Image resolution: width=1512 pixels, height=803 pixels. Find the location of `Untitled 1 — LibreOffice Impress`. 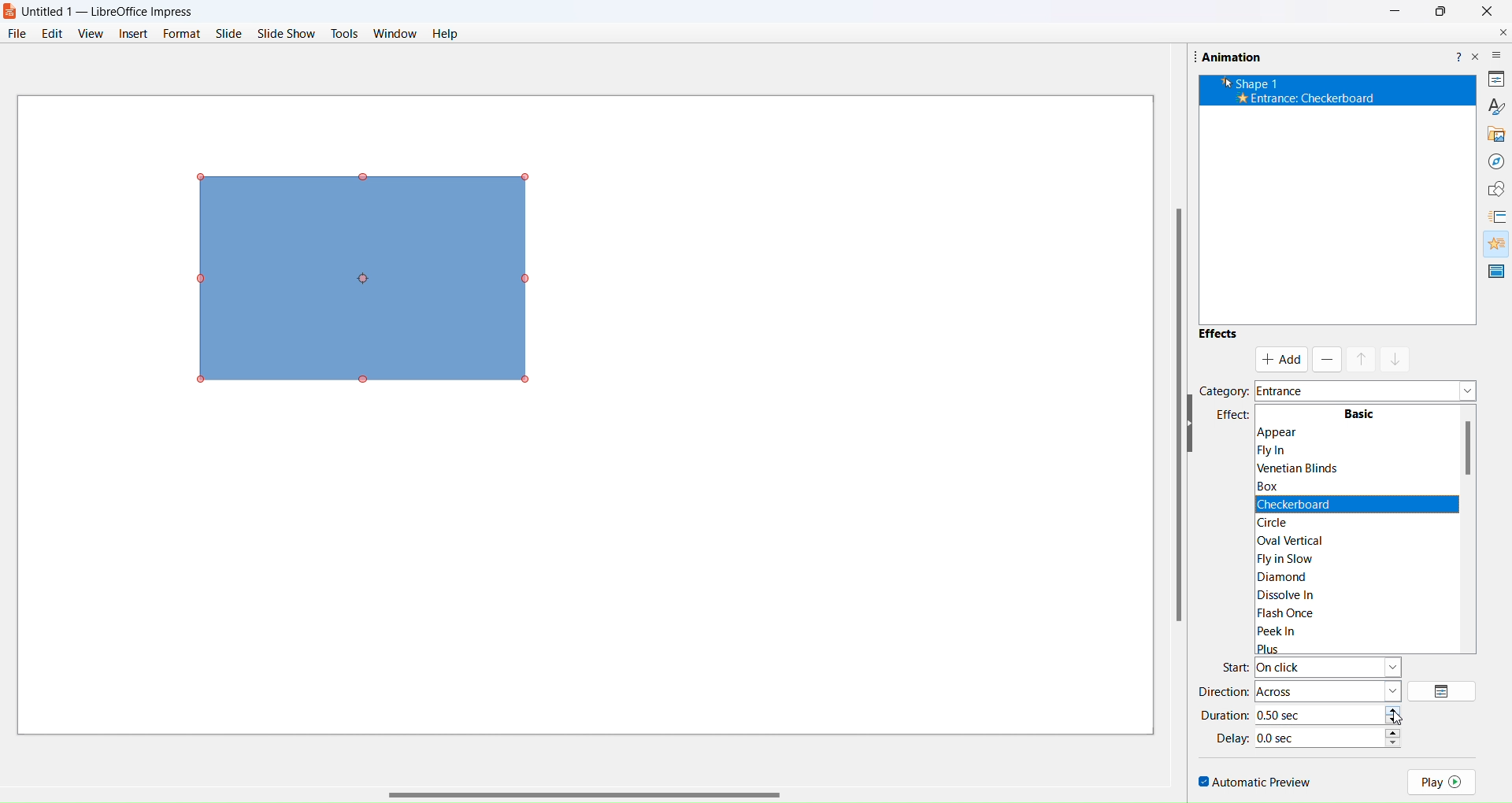

Untitled 1 — LibreOffice Impress is located at coordinates (117, 10).